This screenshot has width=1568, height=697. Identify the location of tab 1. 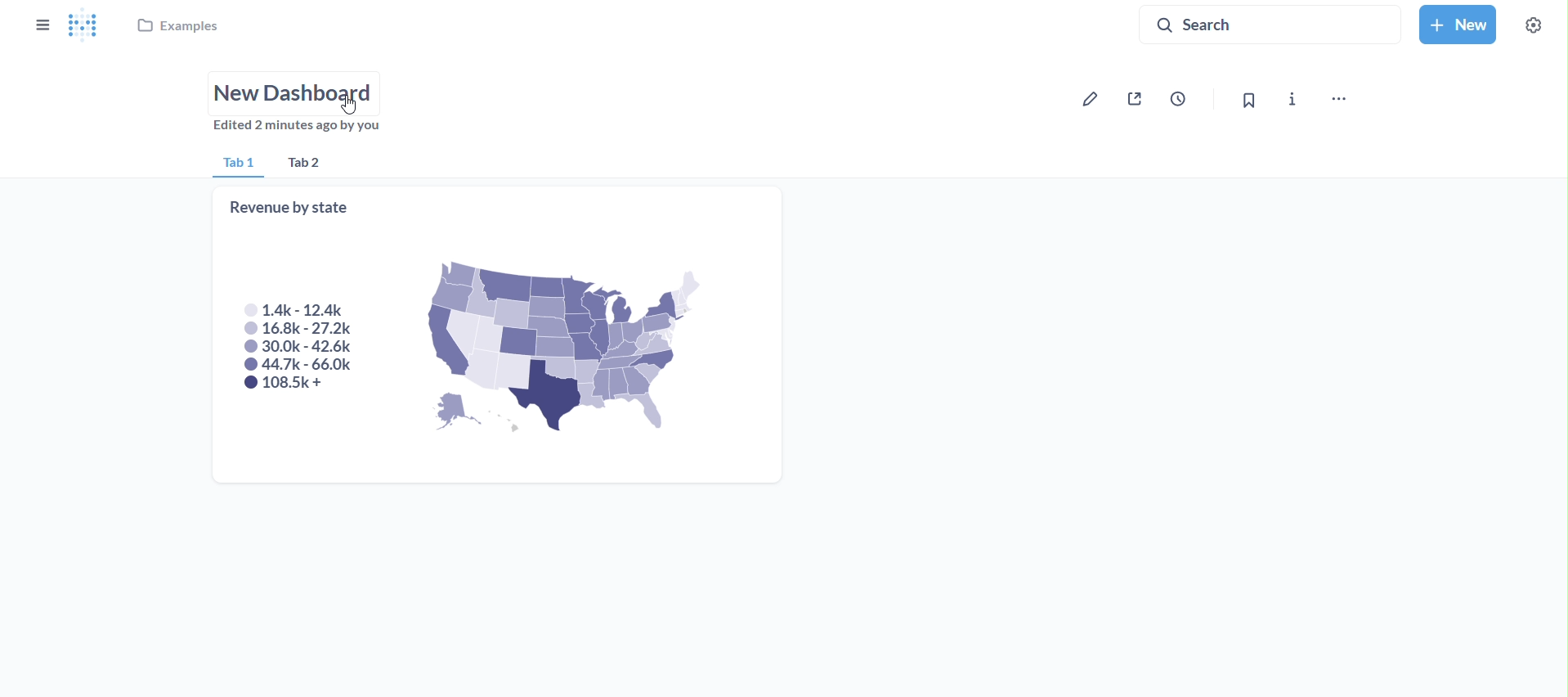
(237, 164).